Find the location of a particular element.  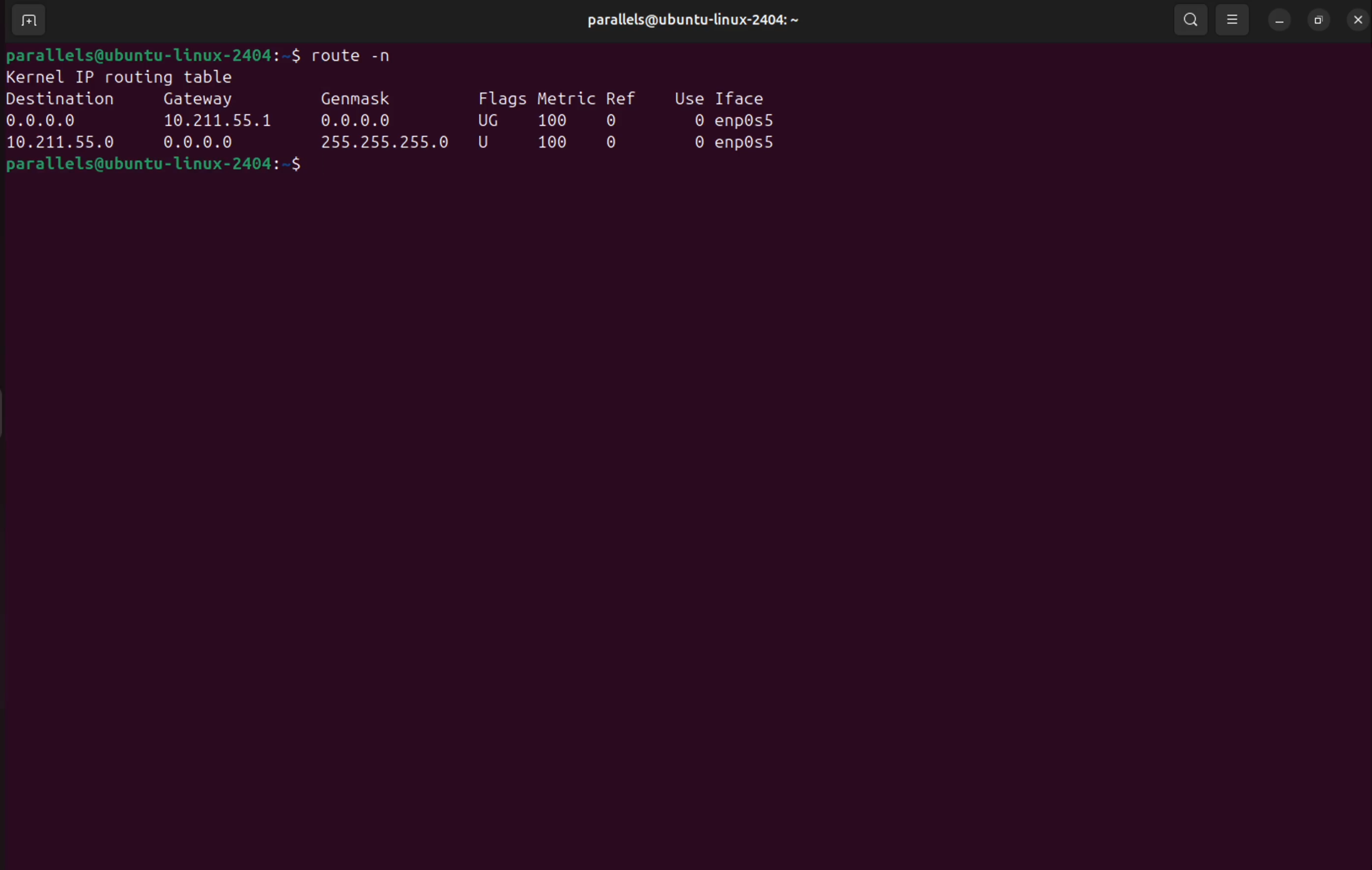

0.0.0.0 is located at coordinates (51, 122).